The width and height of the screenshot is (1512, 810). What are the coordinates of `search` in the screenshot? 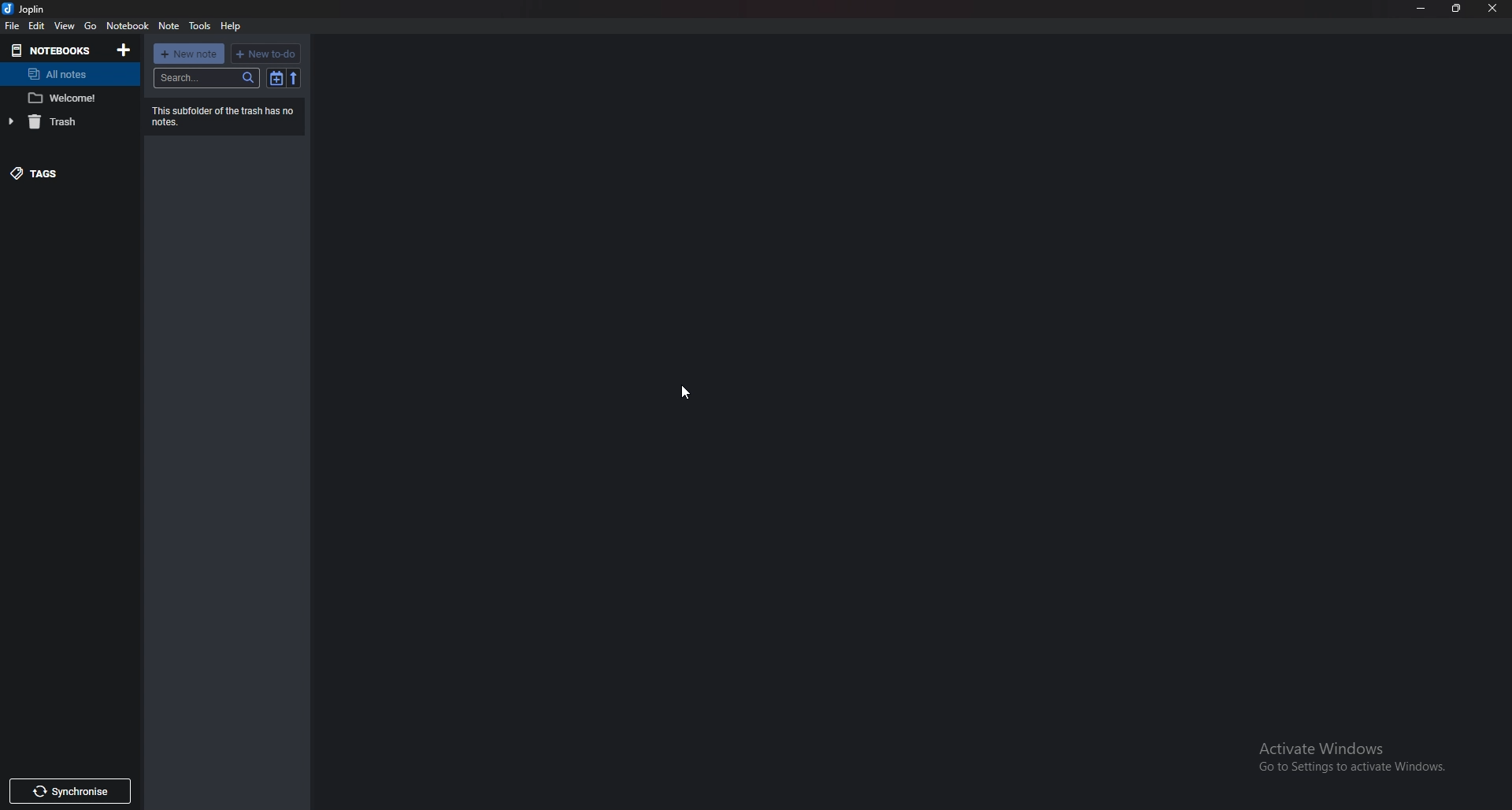 It's located at (208, 78).